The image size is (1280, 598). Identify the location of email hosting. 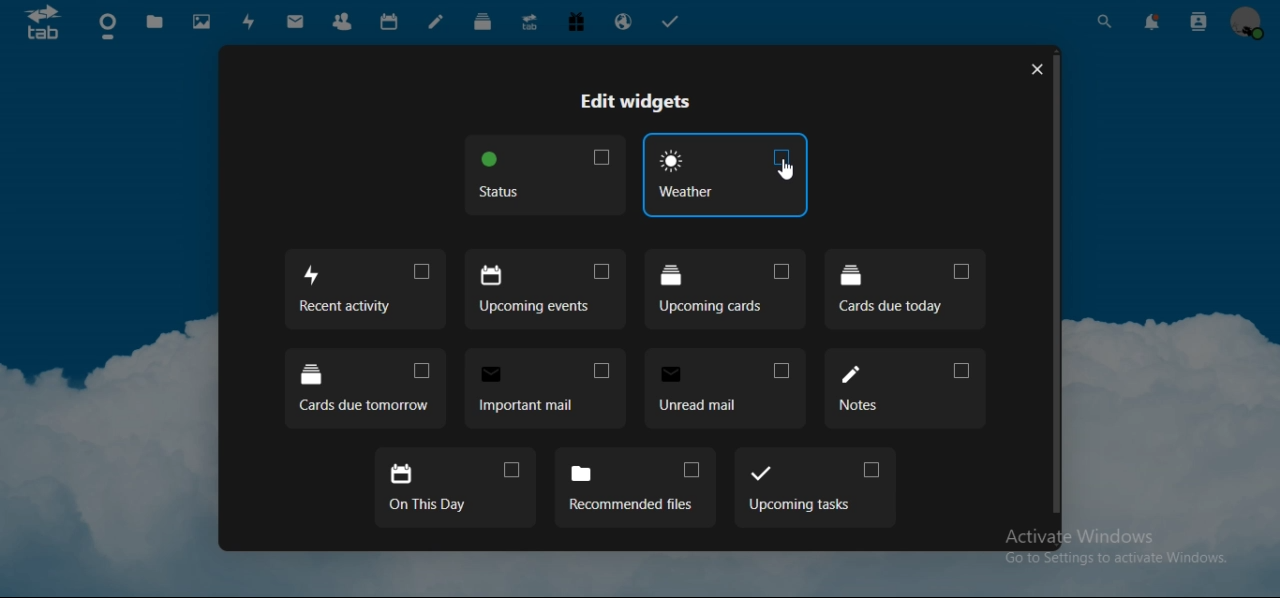
(623, 22).